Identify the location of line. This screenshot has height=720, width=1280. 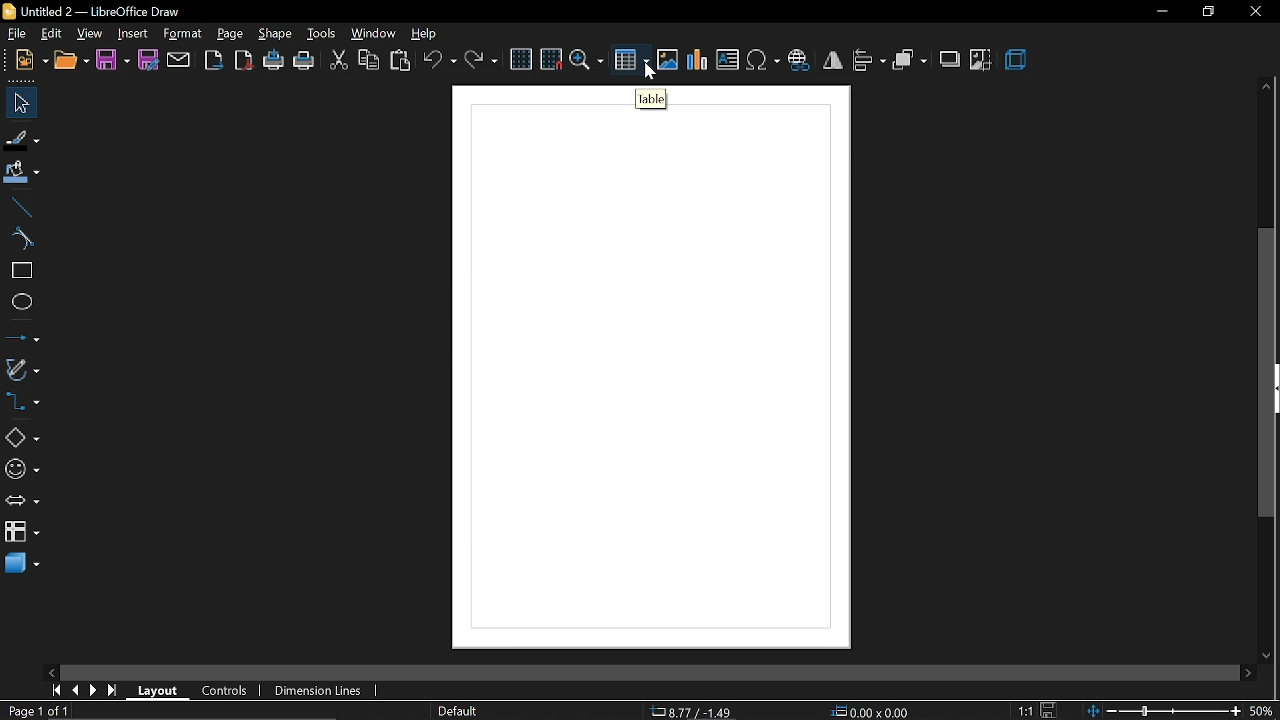
(18, 209).